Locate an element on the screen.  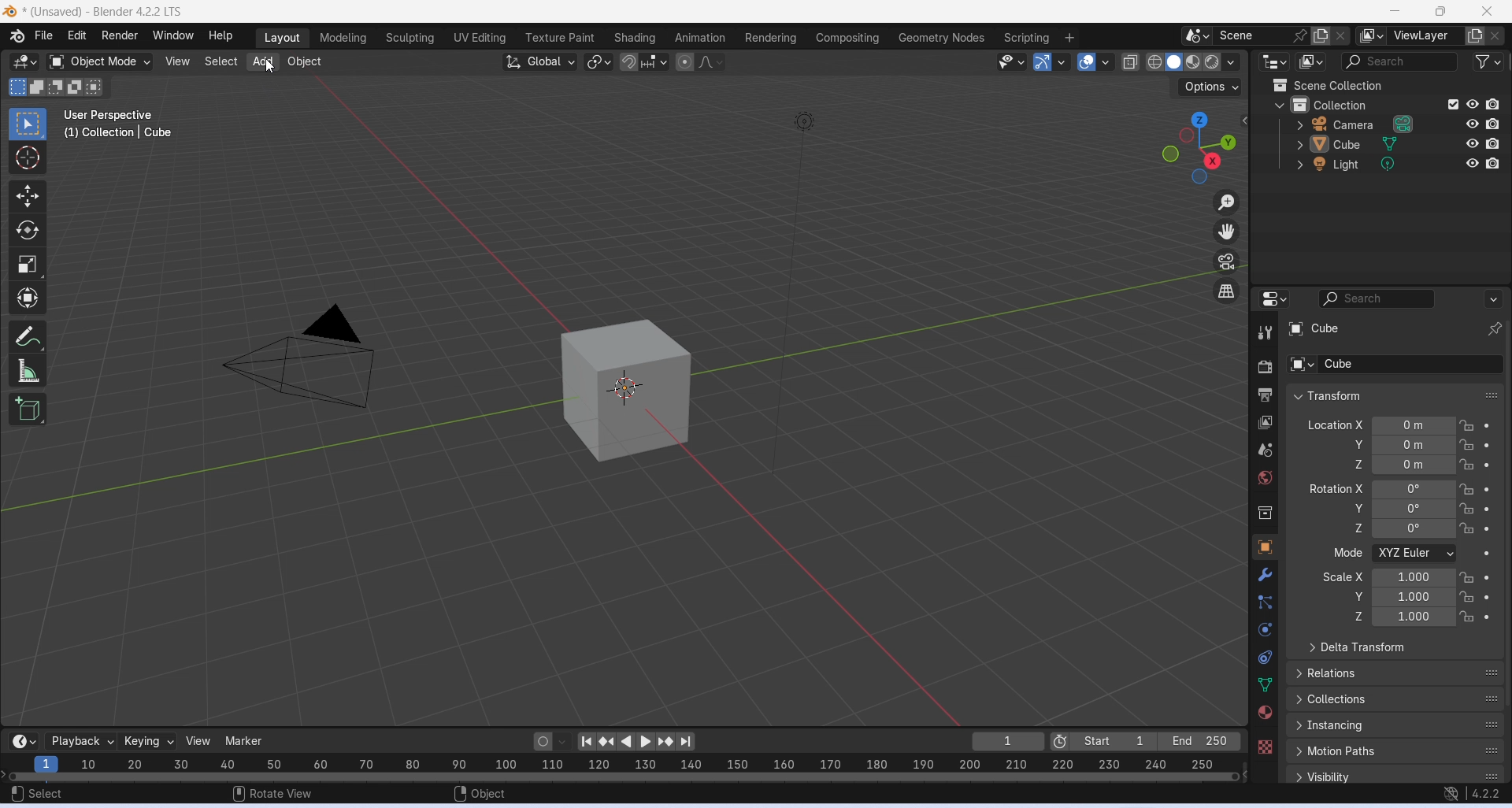
Modes is located at coordinates (57, 87).